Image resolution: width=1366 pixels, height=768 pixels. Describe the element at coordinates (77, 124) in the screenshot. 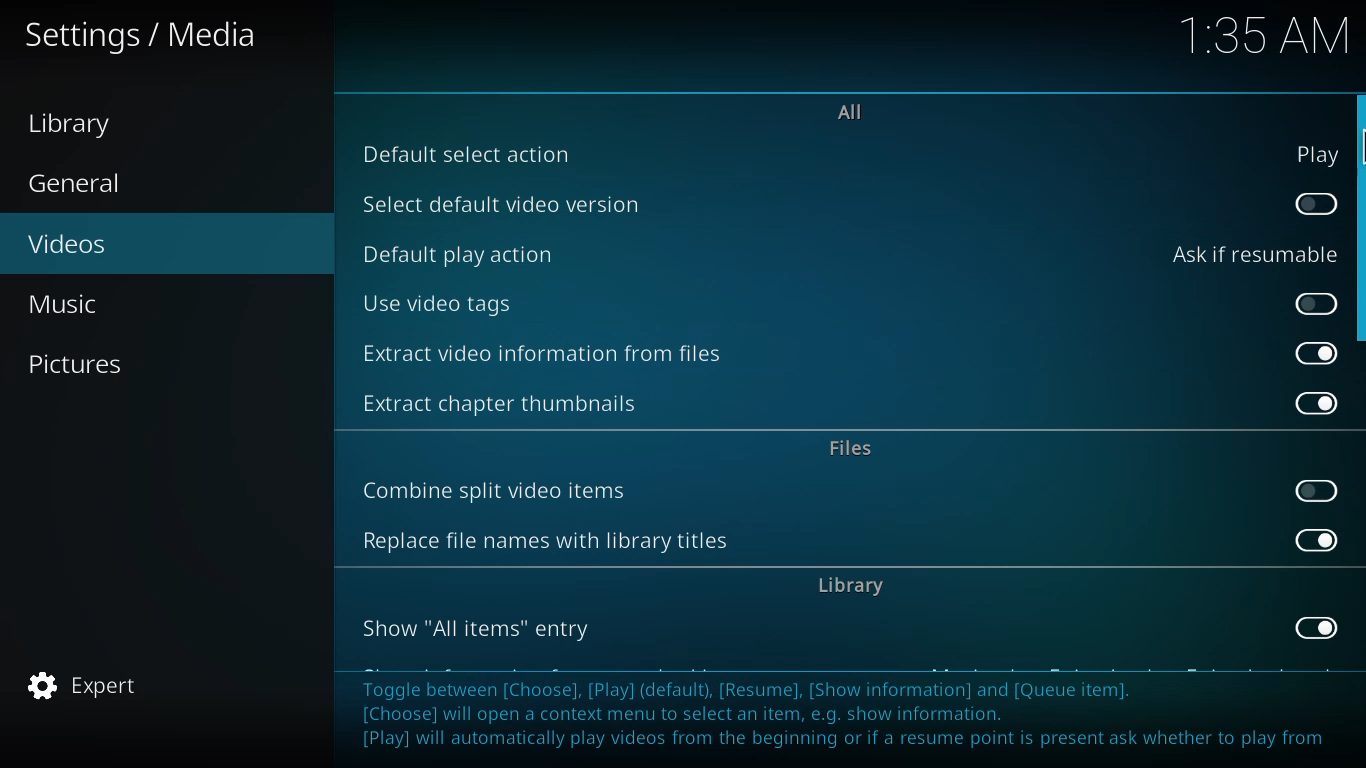

I see `library` at that location.